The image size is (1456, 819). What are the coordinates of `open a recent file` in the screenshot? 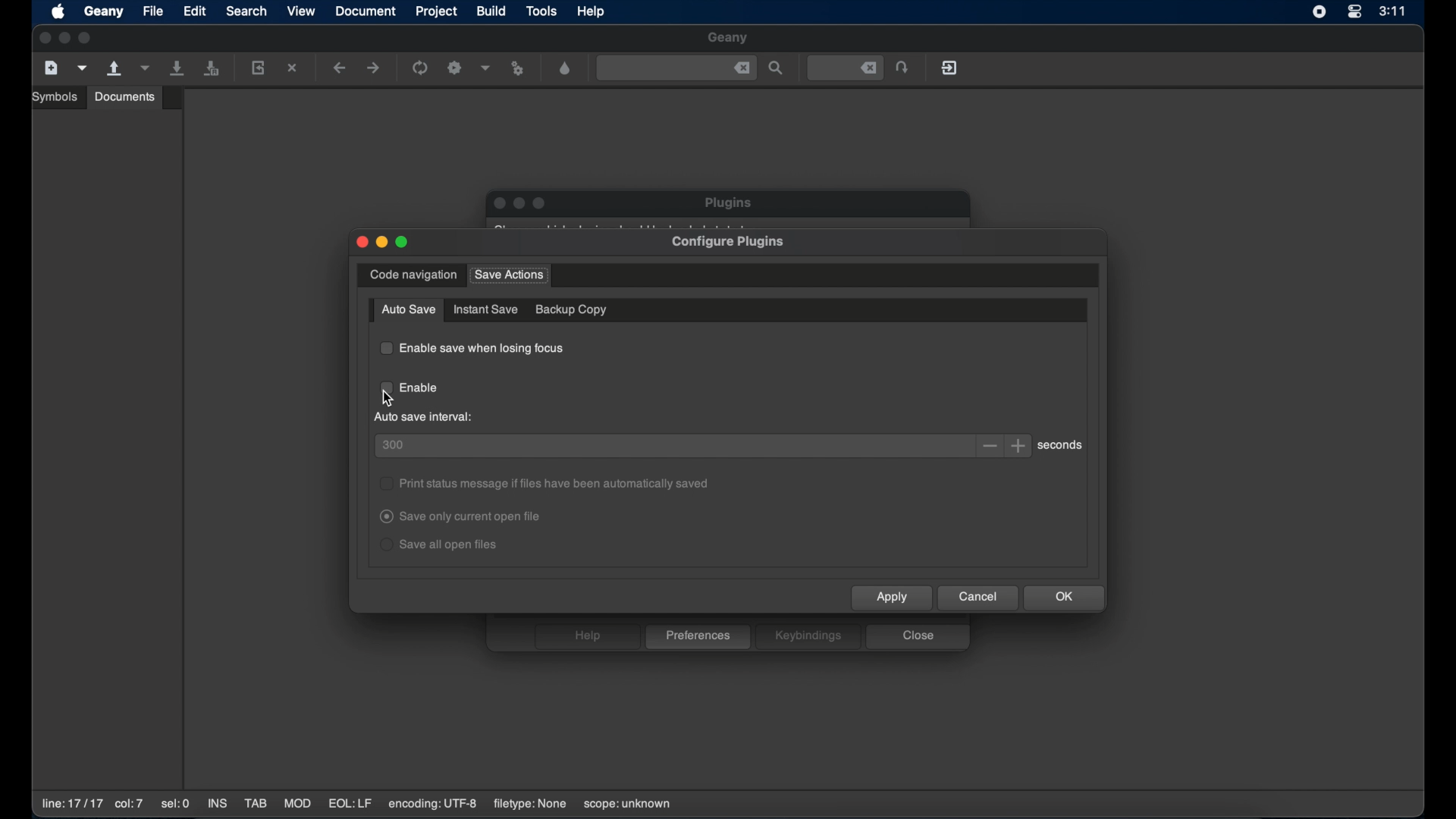 It's located at (145, 68).